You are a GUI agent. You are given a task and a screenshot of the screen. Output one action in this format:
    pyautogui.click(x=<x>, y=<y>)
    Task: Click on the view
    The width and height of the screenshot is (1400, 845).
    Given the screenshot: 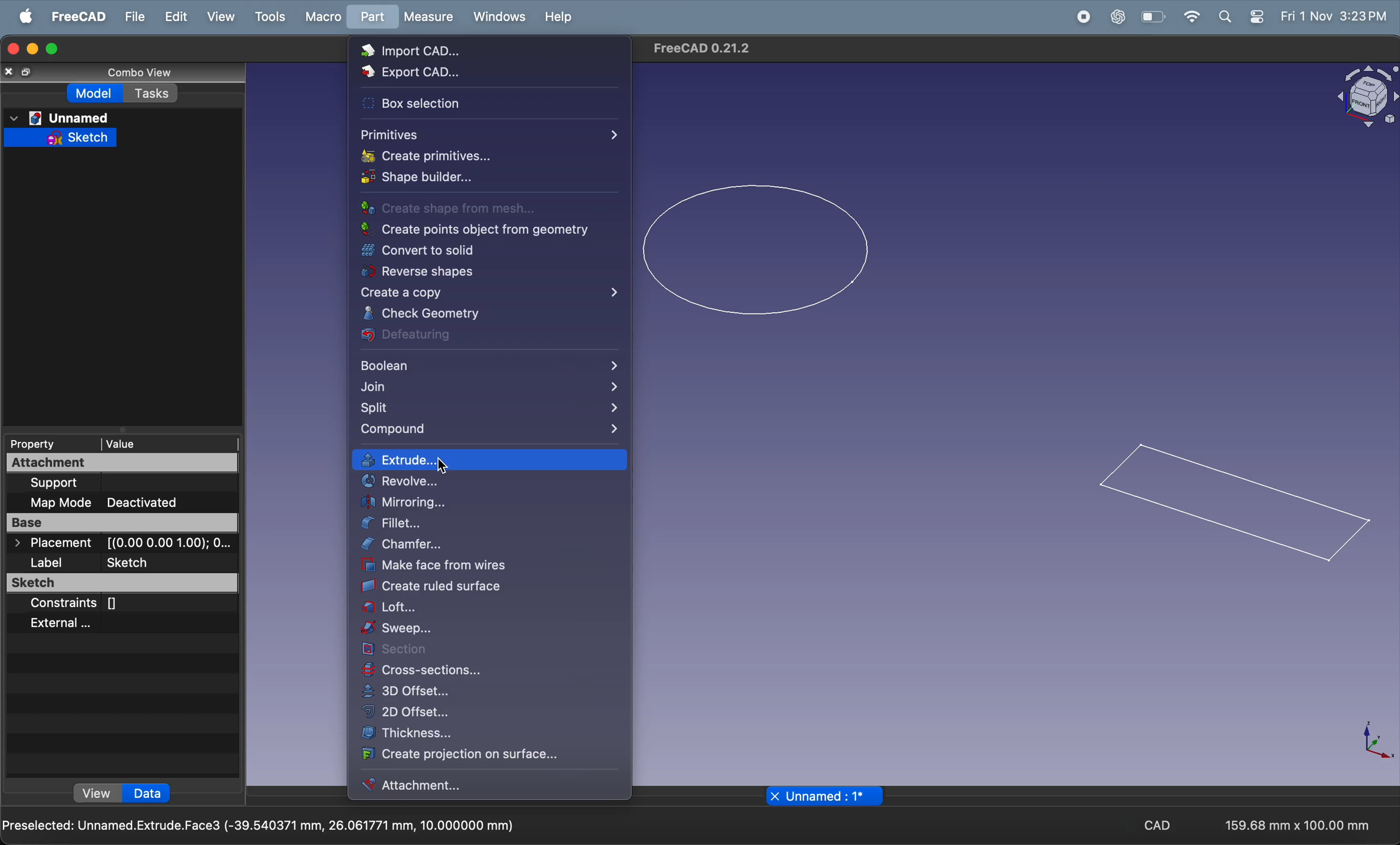 What is the action you would take?
    pyautogui.click(x=95, y=793)
    